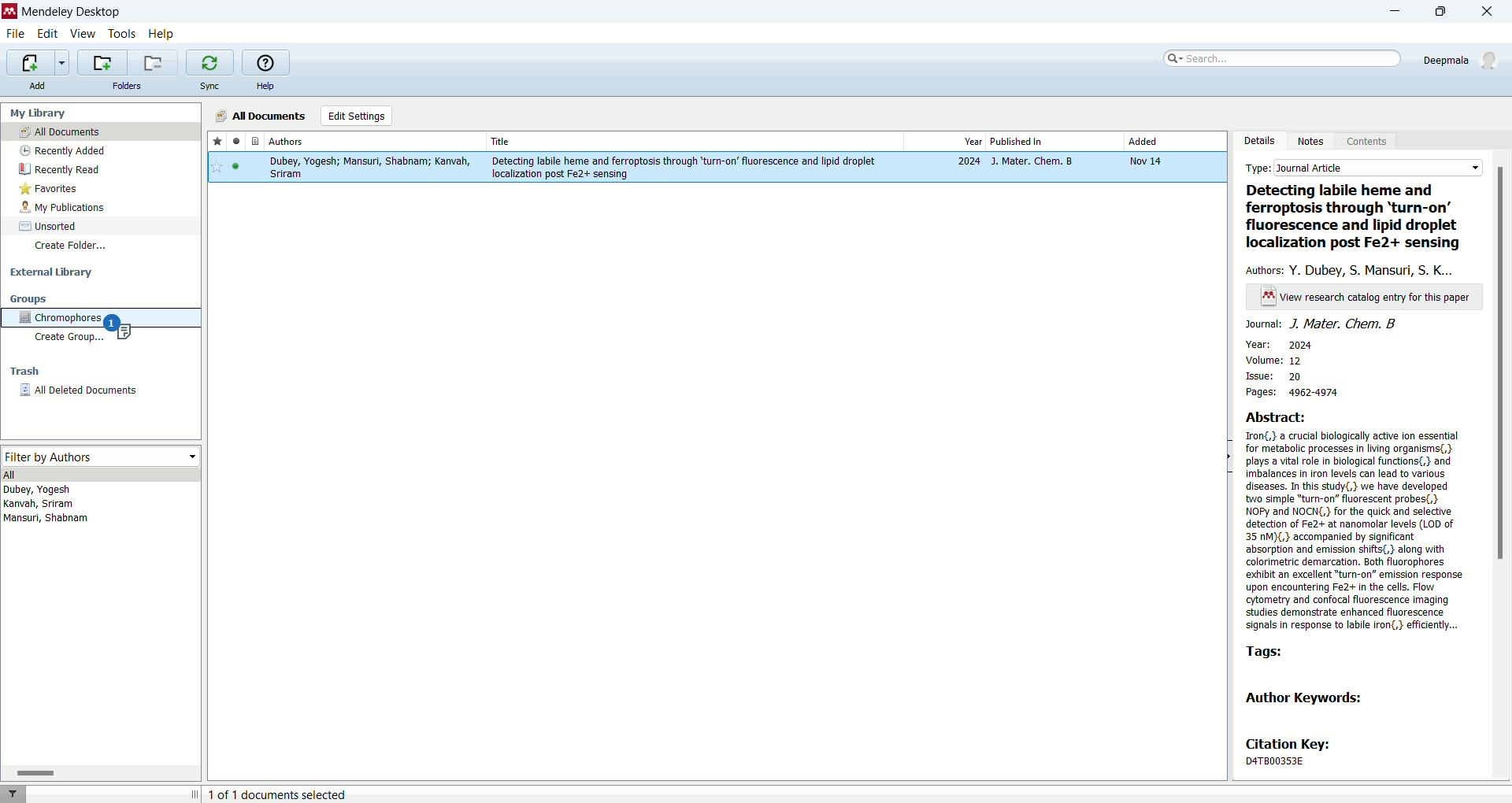  What do you see at coordinates (209, 88) in the screenshot?
I see `sync` at bounding box center [209, 88].